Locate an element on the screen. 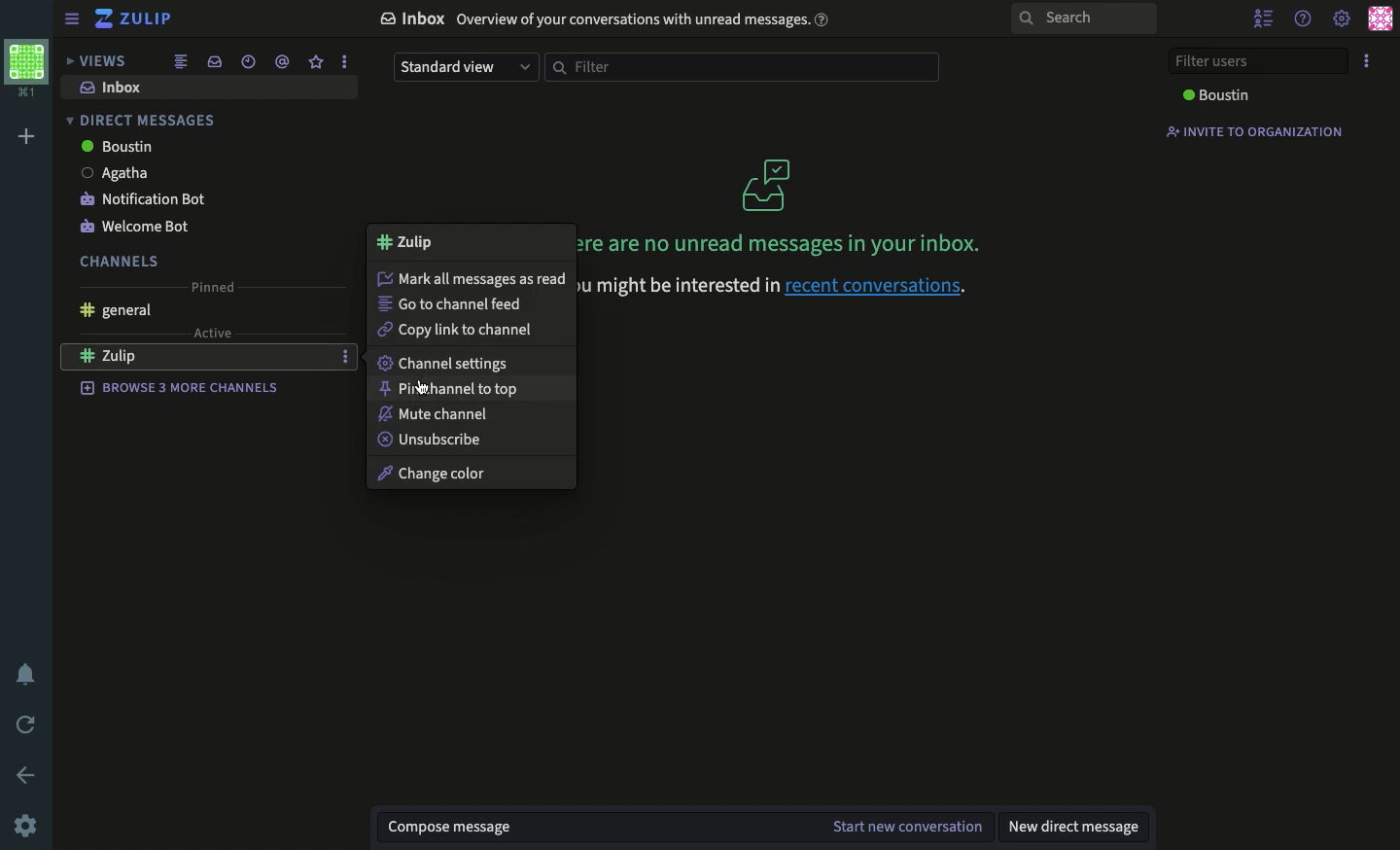 This screenshot has width=1400, height=850. start new conversation is located at coordinates (907, 827).